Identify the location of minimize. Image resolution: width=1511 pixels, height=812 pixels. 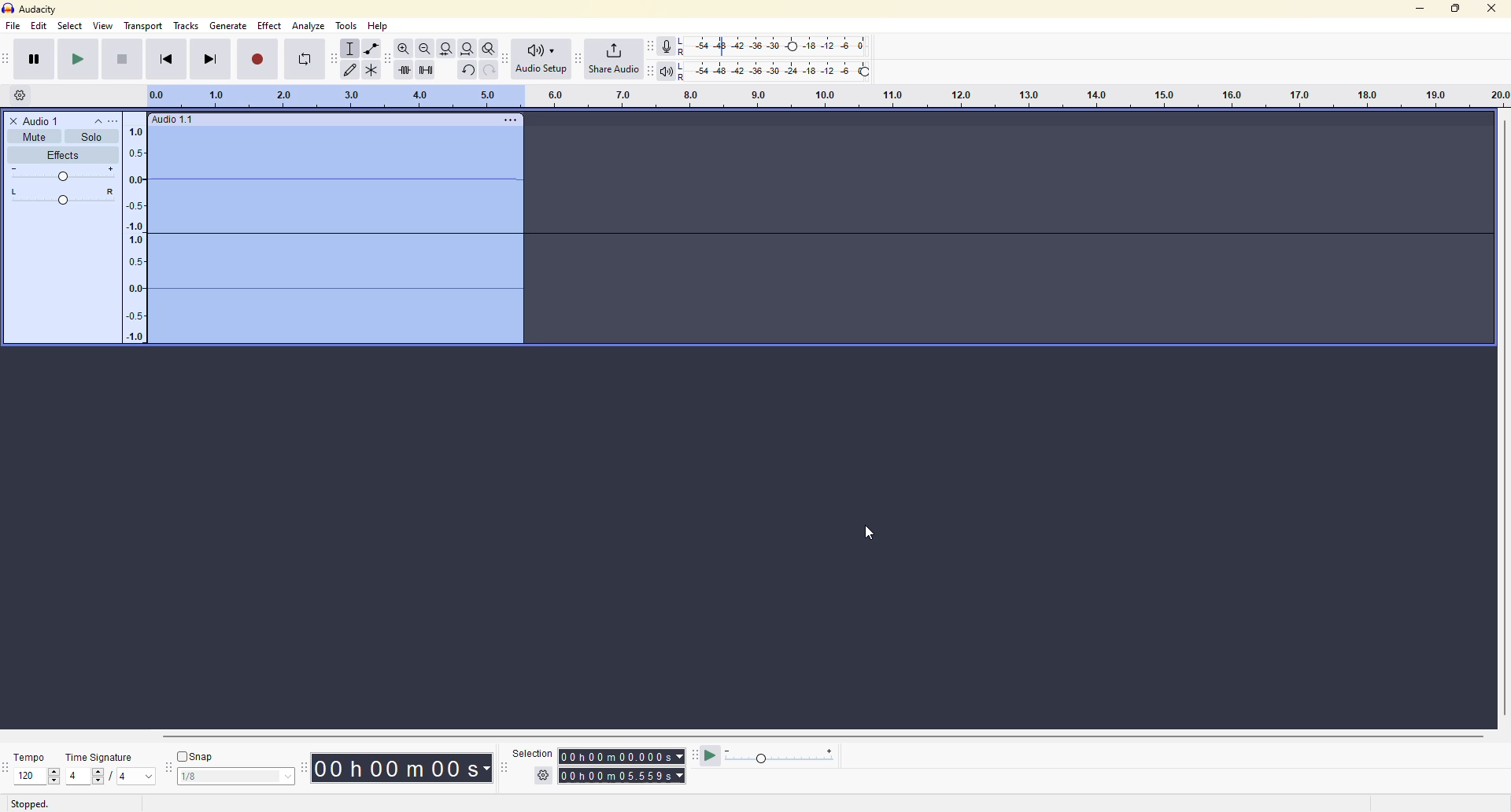
(1415, 9).